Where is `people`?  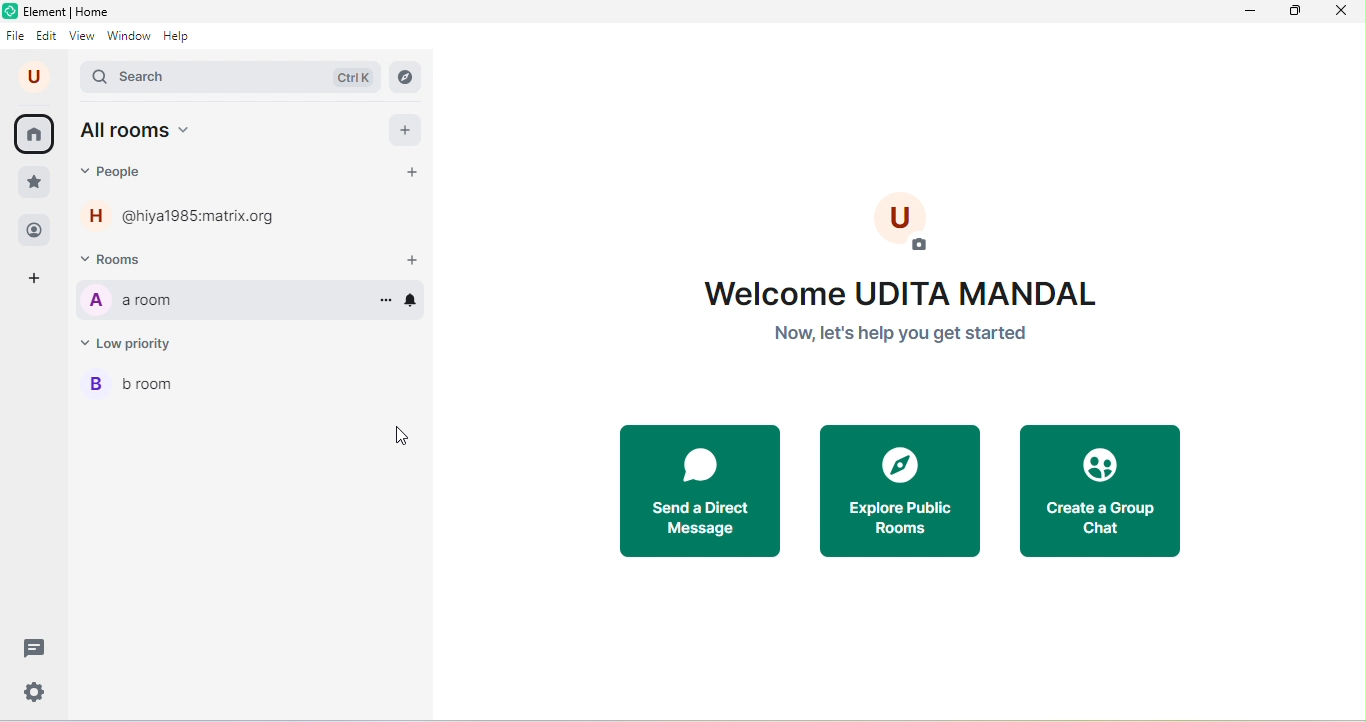 people is located at coordinates (35, 232).